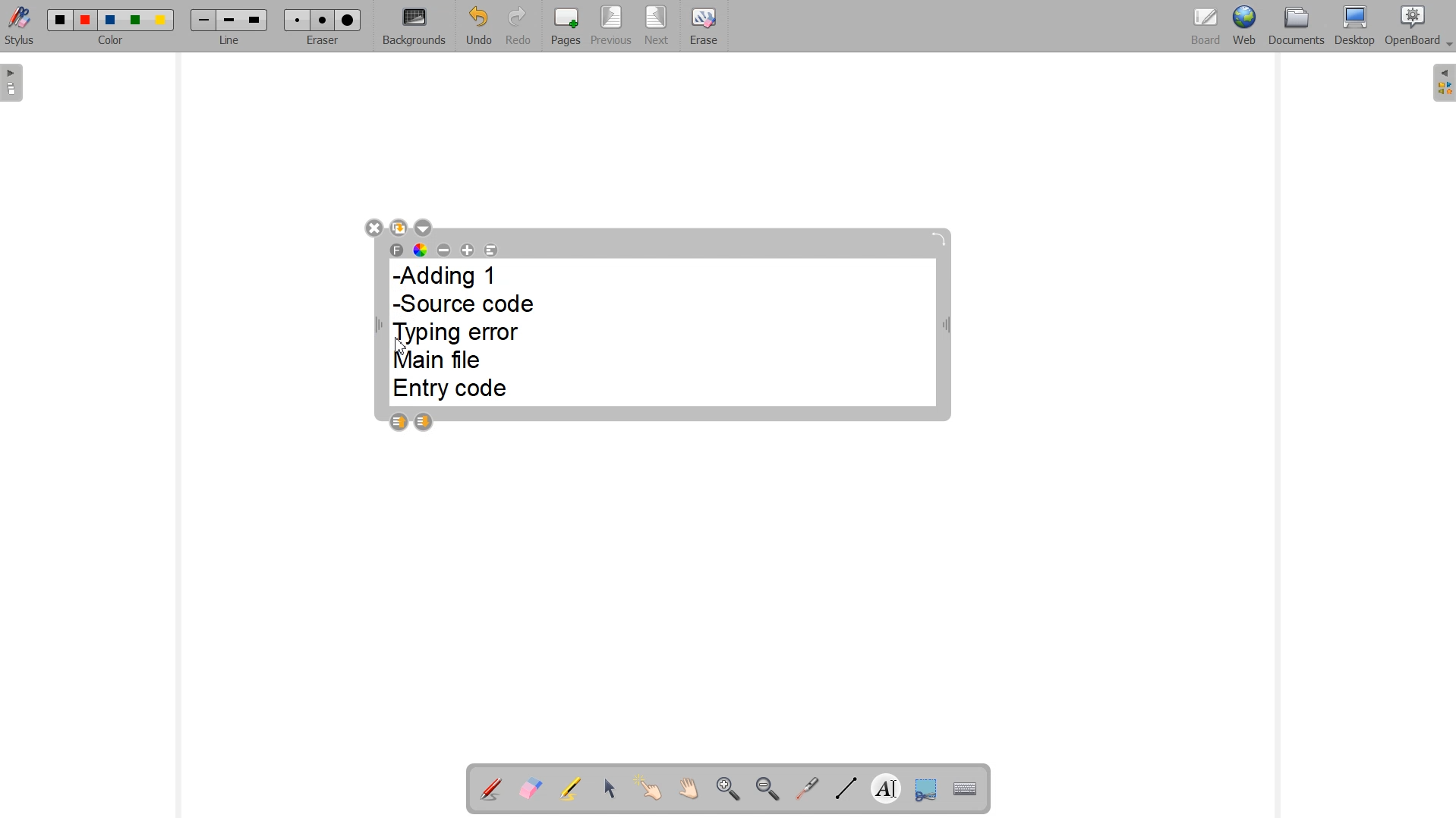 The height and width of the screenshot is (818, 1456). Describe the element at coordinates (230, 41) in the screenshot. I see `Line` at that location.